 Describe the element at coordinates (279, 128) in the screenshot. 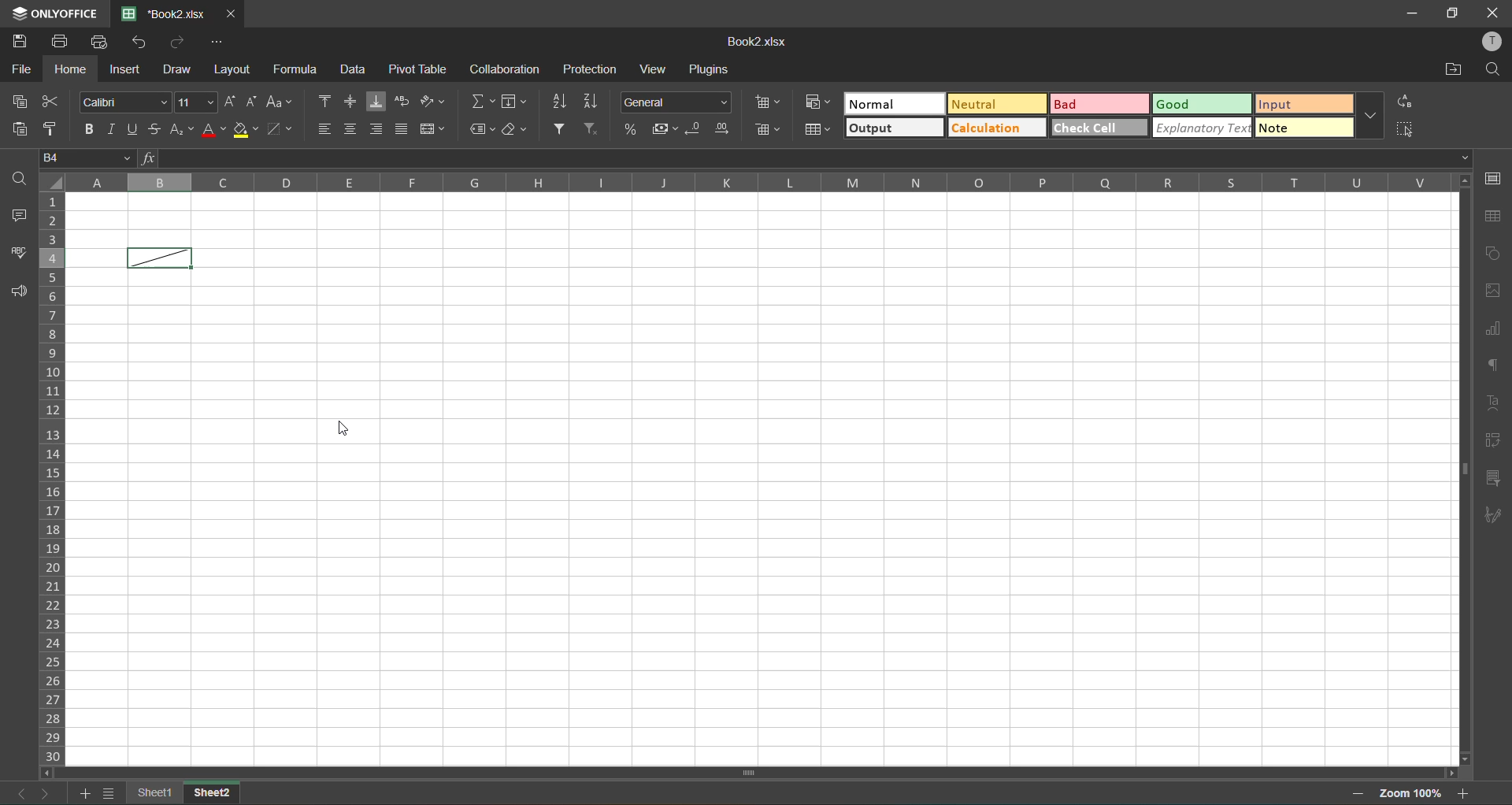

I see `borders` at that location.